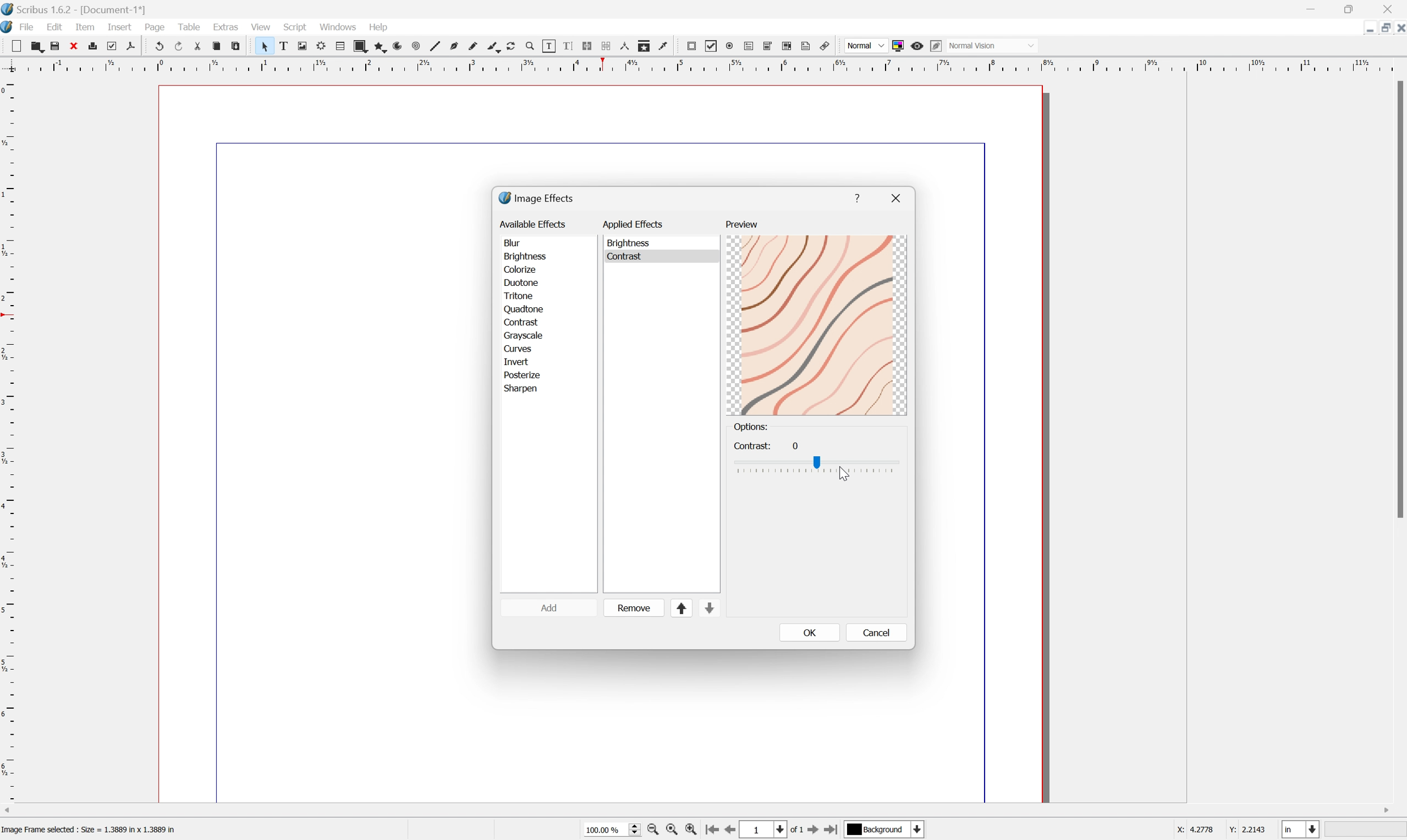 The width and height of the screenshot is (1407, 840). I want to click on options:, so click(752, 427).